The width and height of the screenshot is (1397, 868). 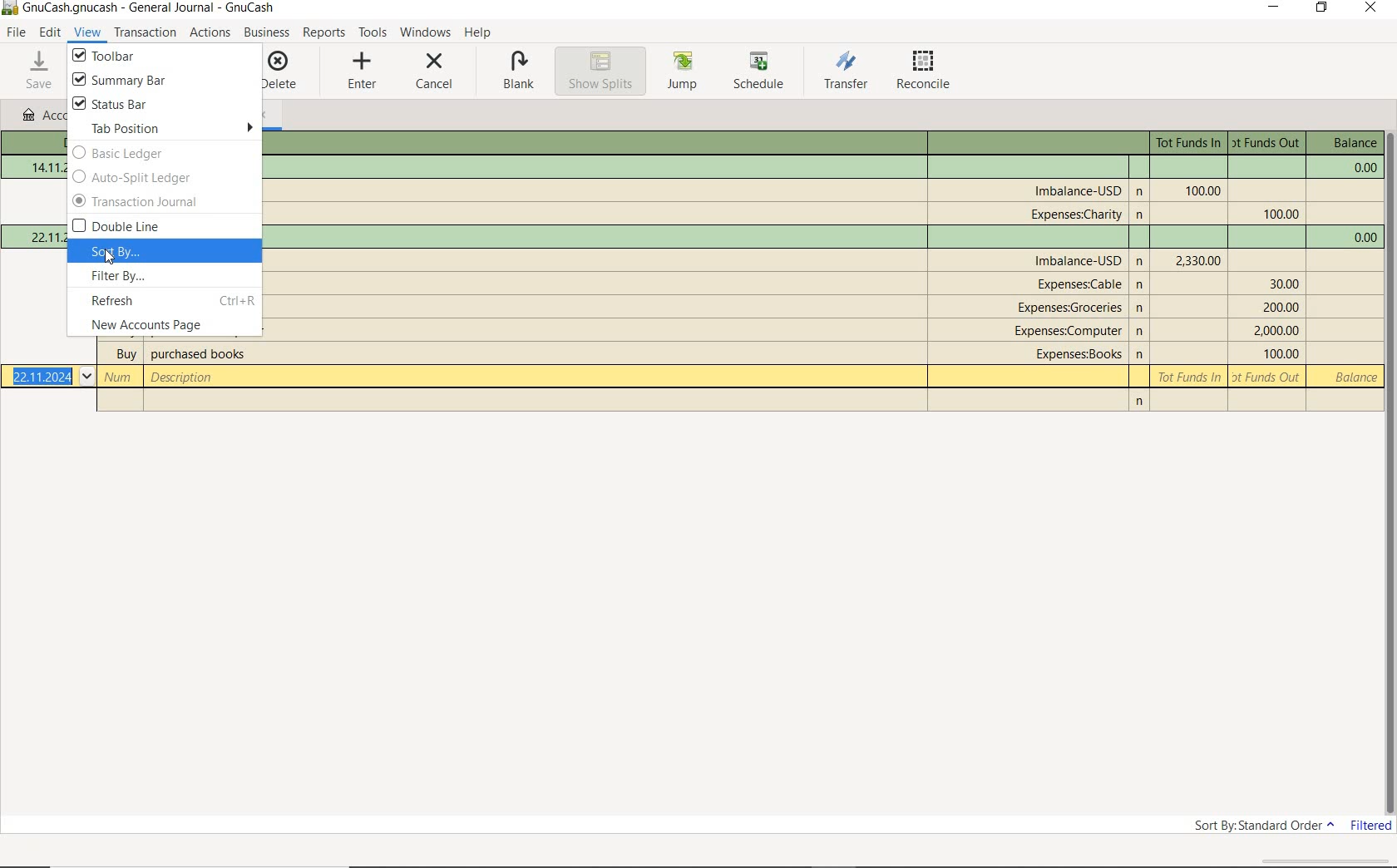 I want to click on balance, so click(x=1350, y=144).